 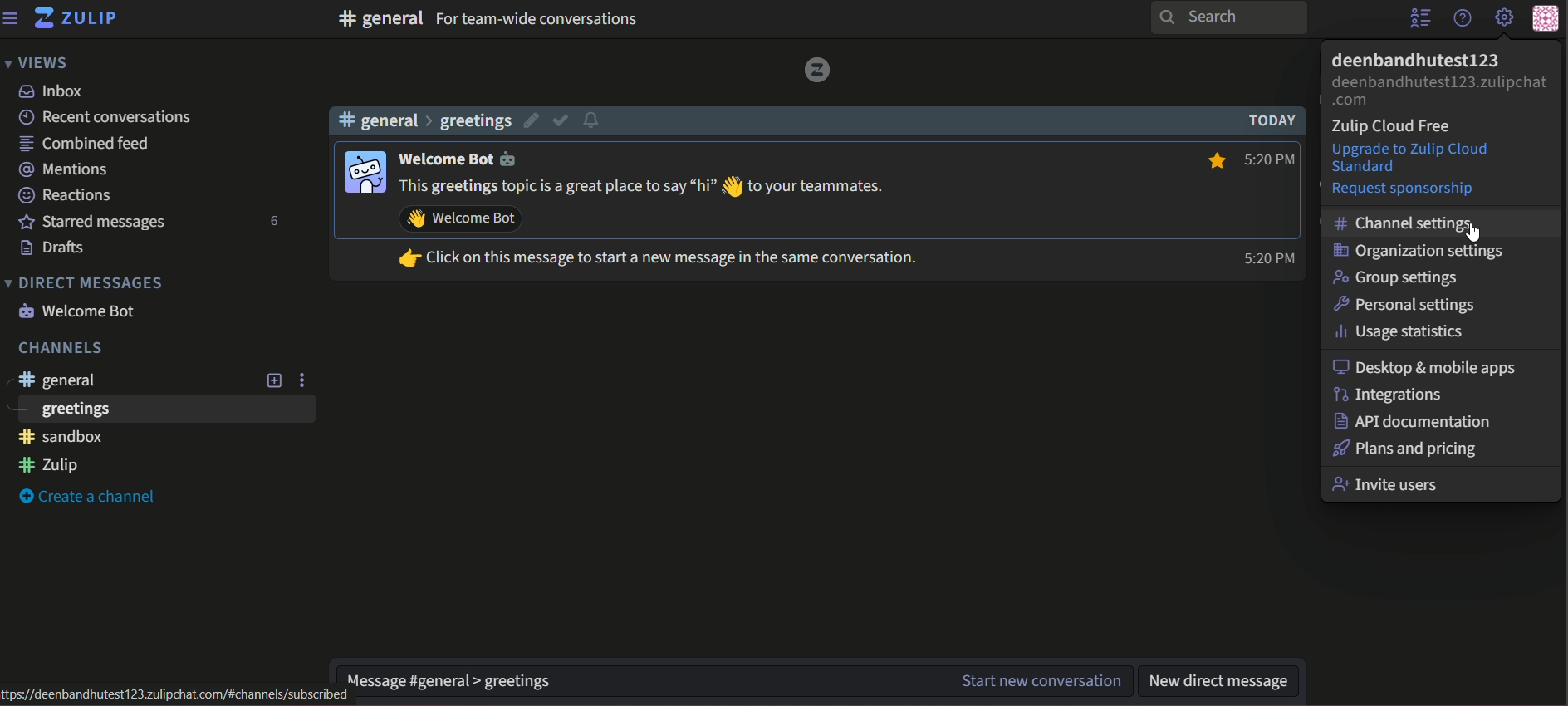 I want to click on options, so click(x=1419, y=20).